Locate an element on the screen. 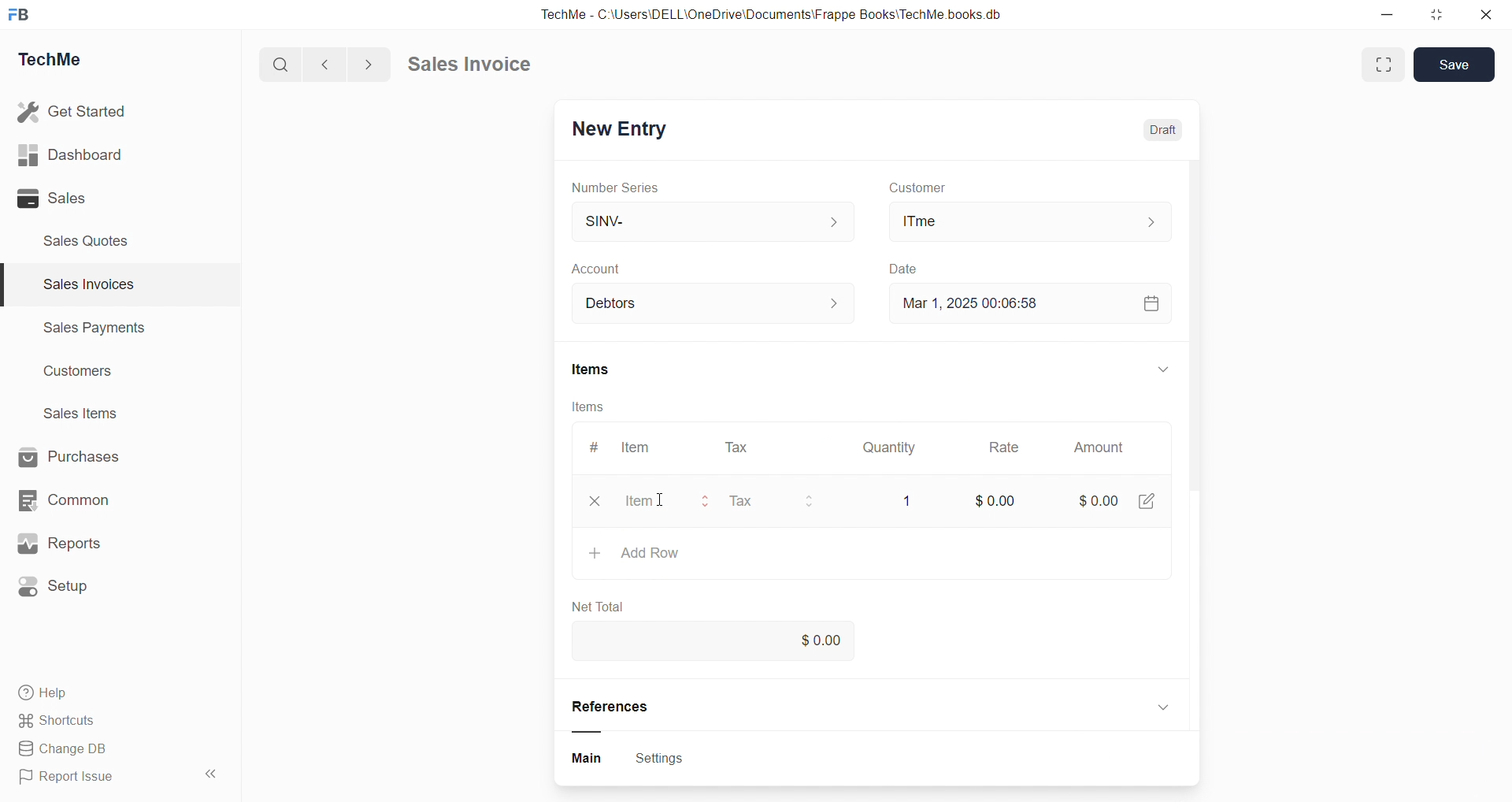 The height and width of the screenshot is (802, 1512).  Help is located at coordinates (51, 695).